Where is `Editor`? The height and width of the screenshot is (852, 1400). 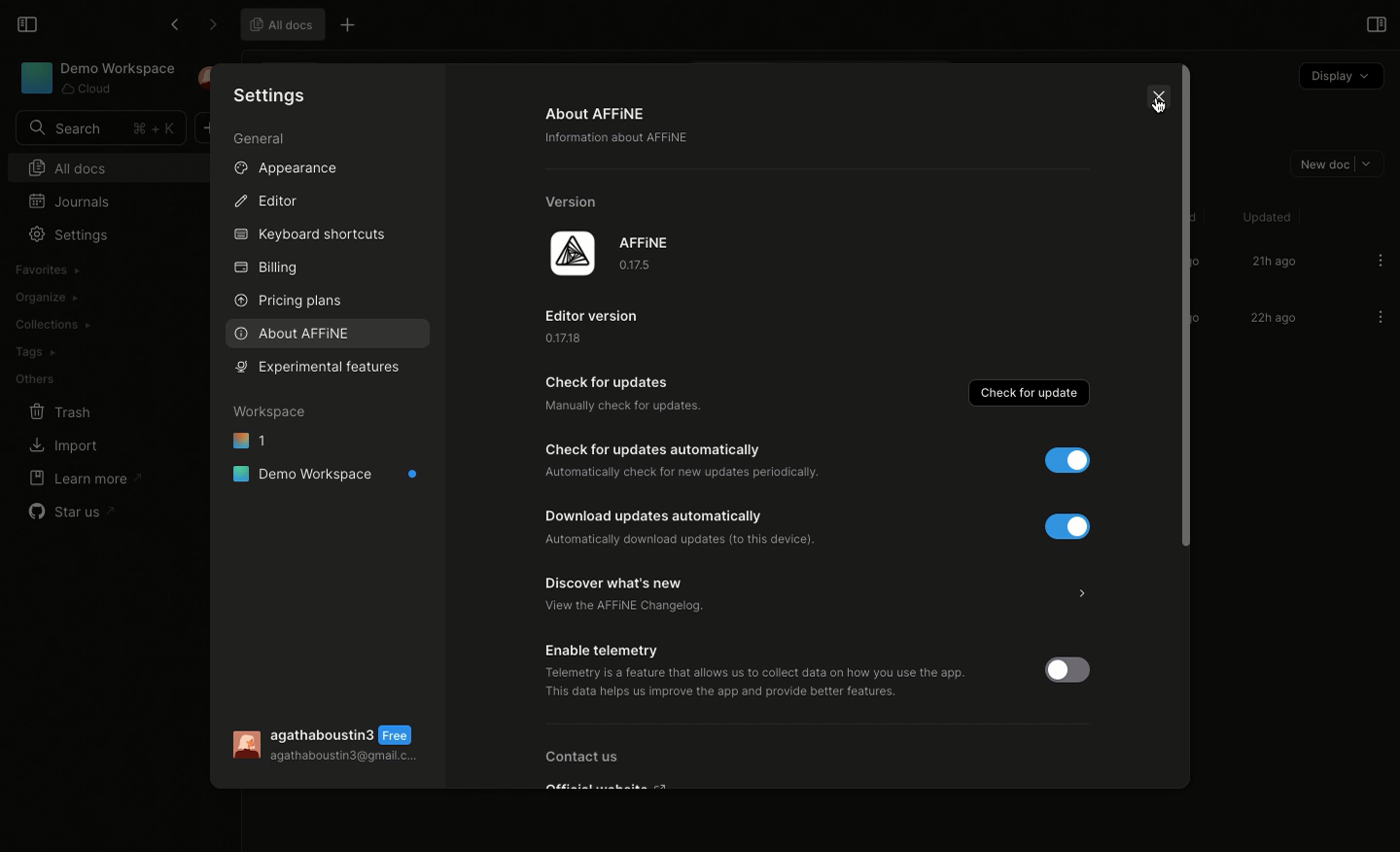 Editor is located at coordinates (264, 199).